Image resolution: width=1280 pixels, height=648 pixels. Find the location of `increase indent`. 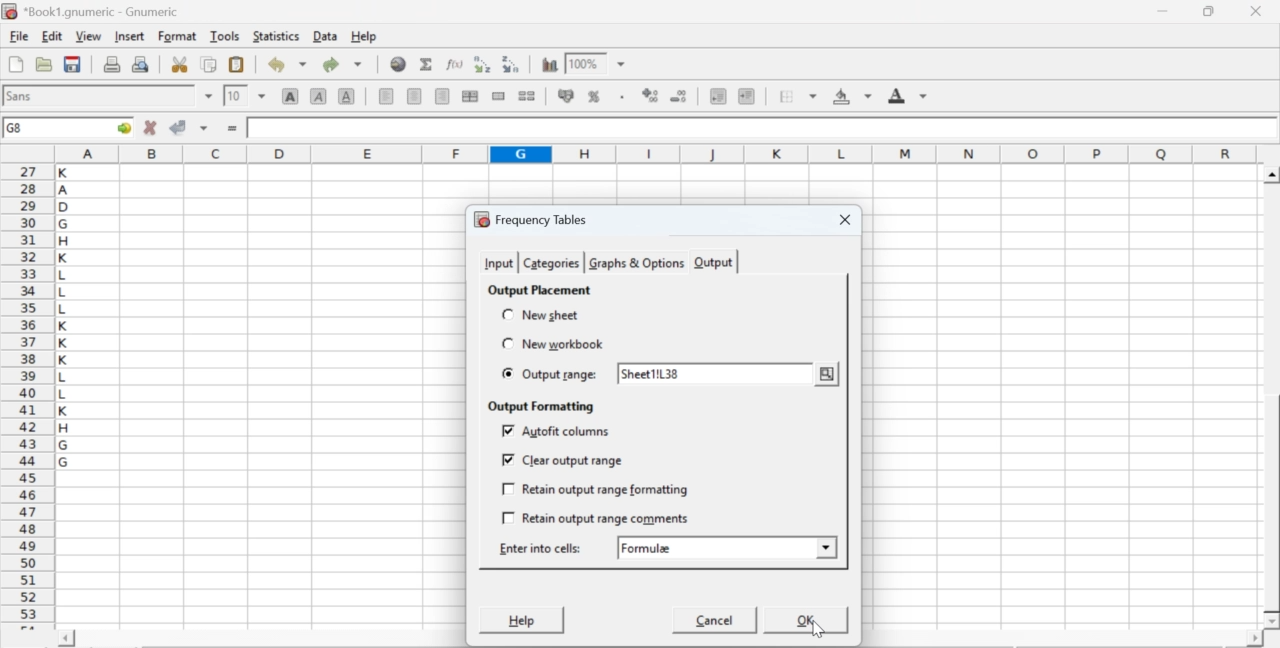

increase indent is located at coordinates (746, 97).